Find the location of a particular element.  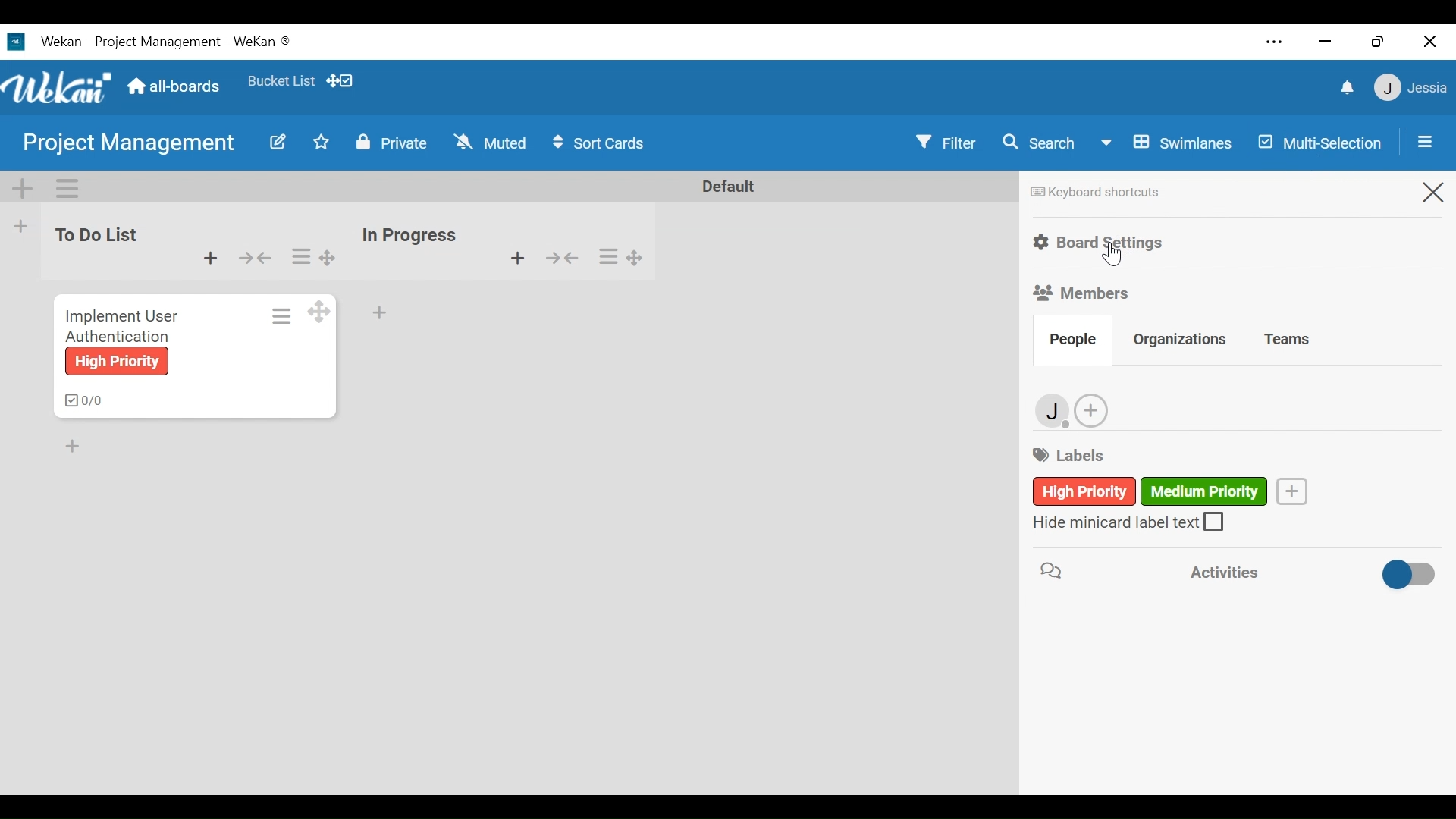

Add member is located at coordinates (1094, 413).